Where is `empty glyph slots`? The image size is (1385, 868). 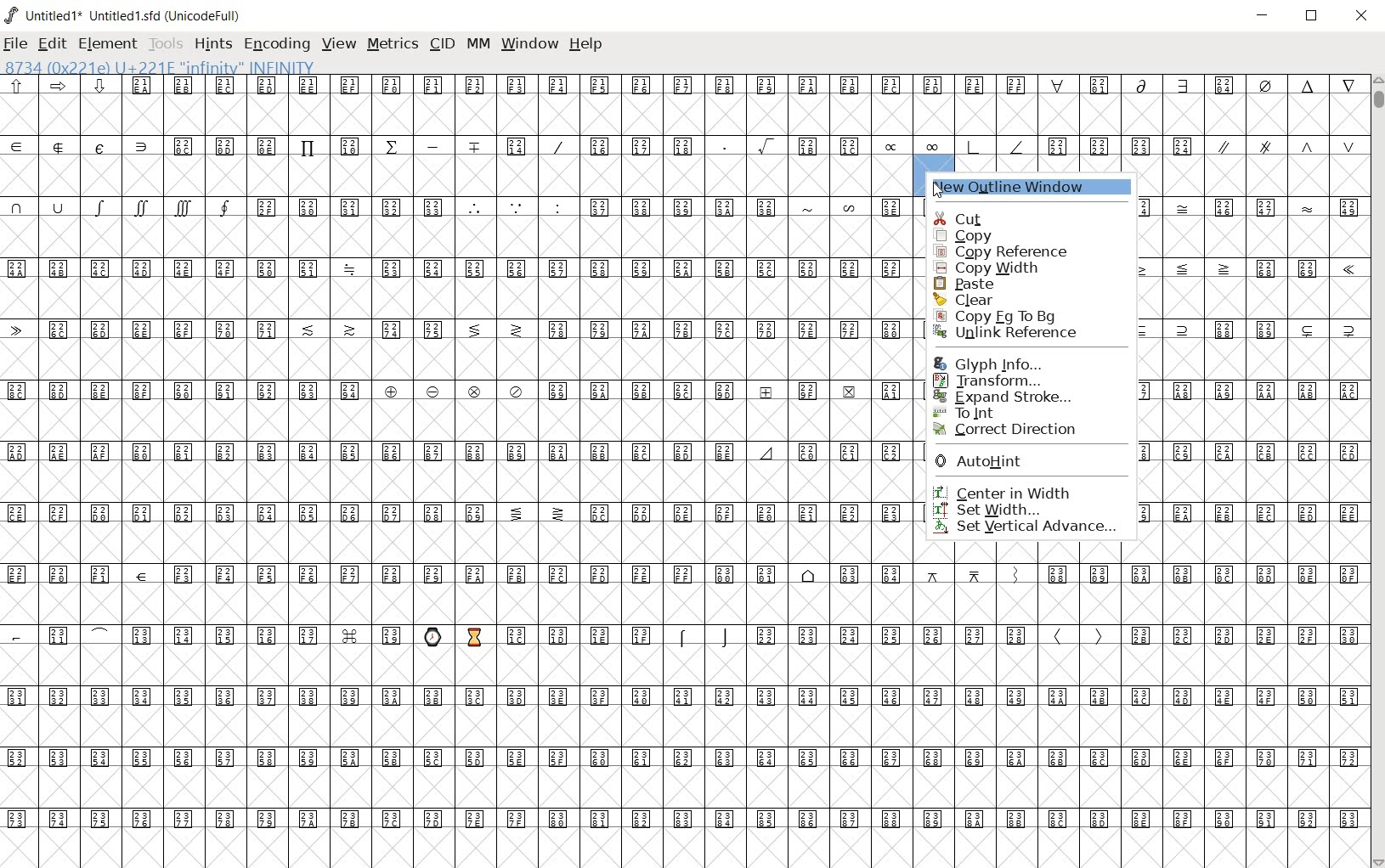
empty glyph slots is located at coordinates (1253, 302).